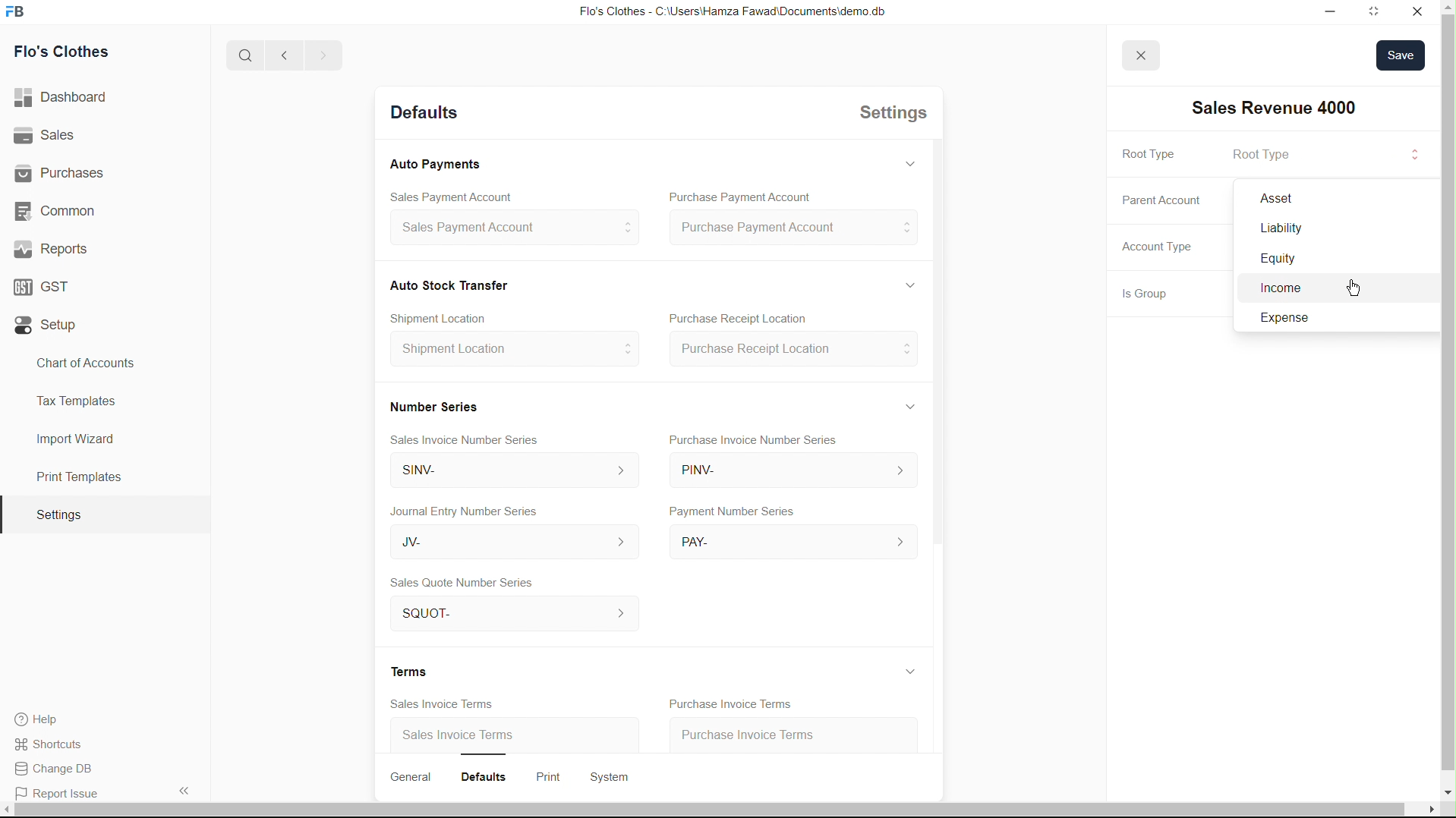  I want to click on Common, so click(58, 209).